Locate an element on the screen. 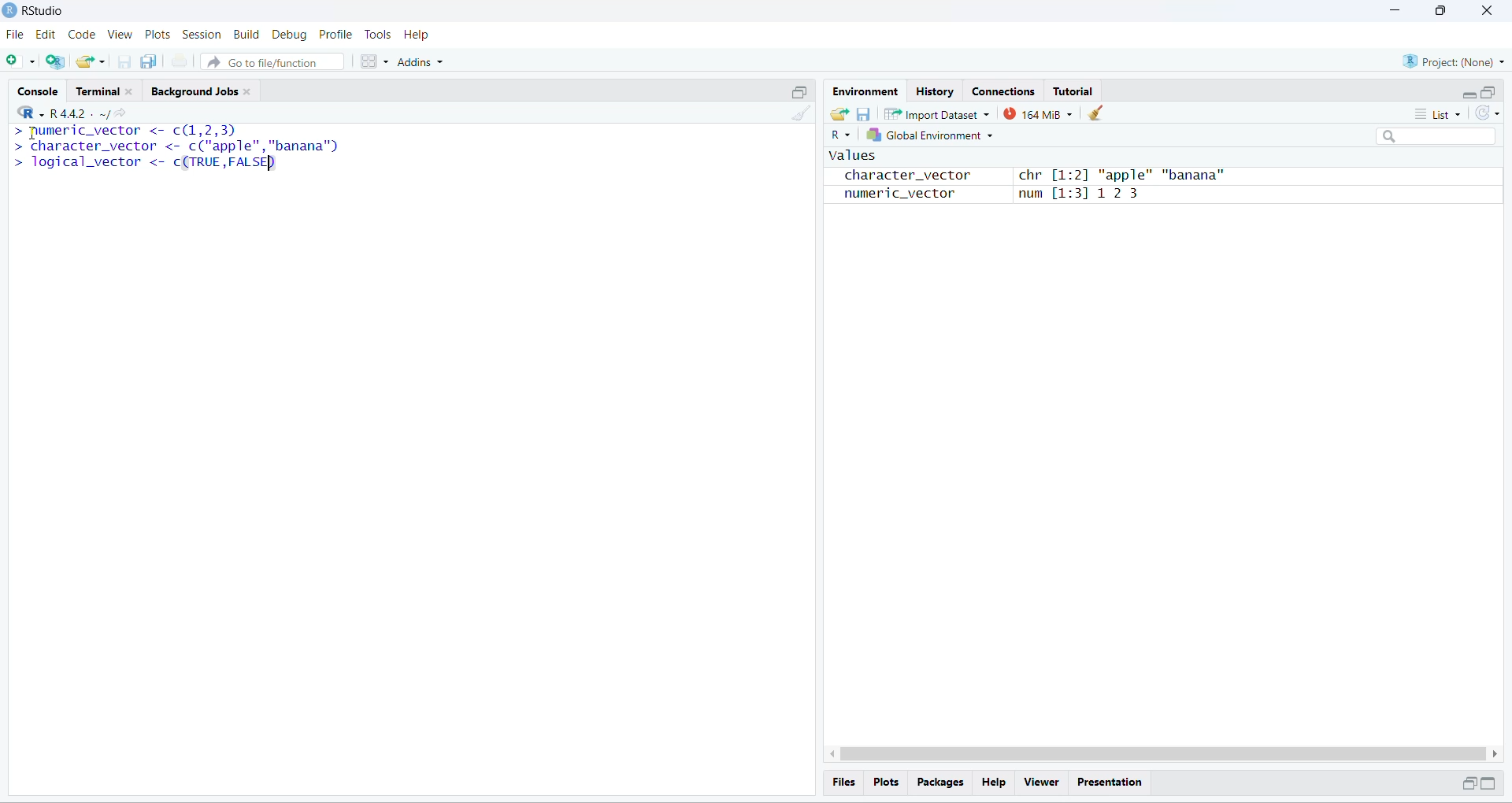 The image size is (1512, 803). chr [1:2] "apple" "banana" is located at coordinates (1121, 176).